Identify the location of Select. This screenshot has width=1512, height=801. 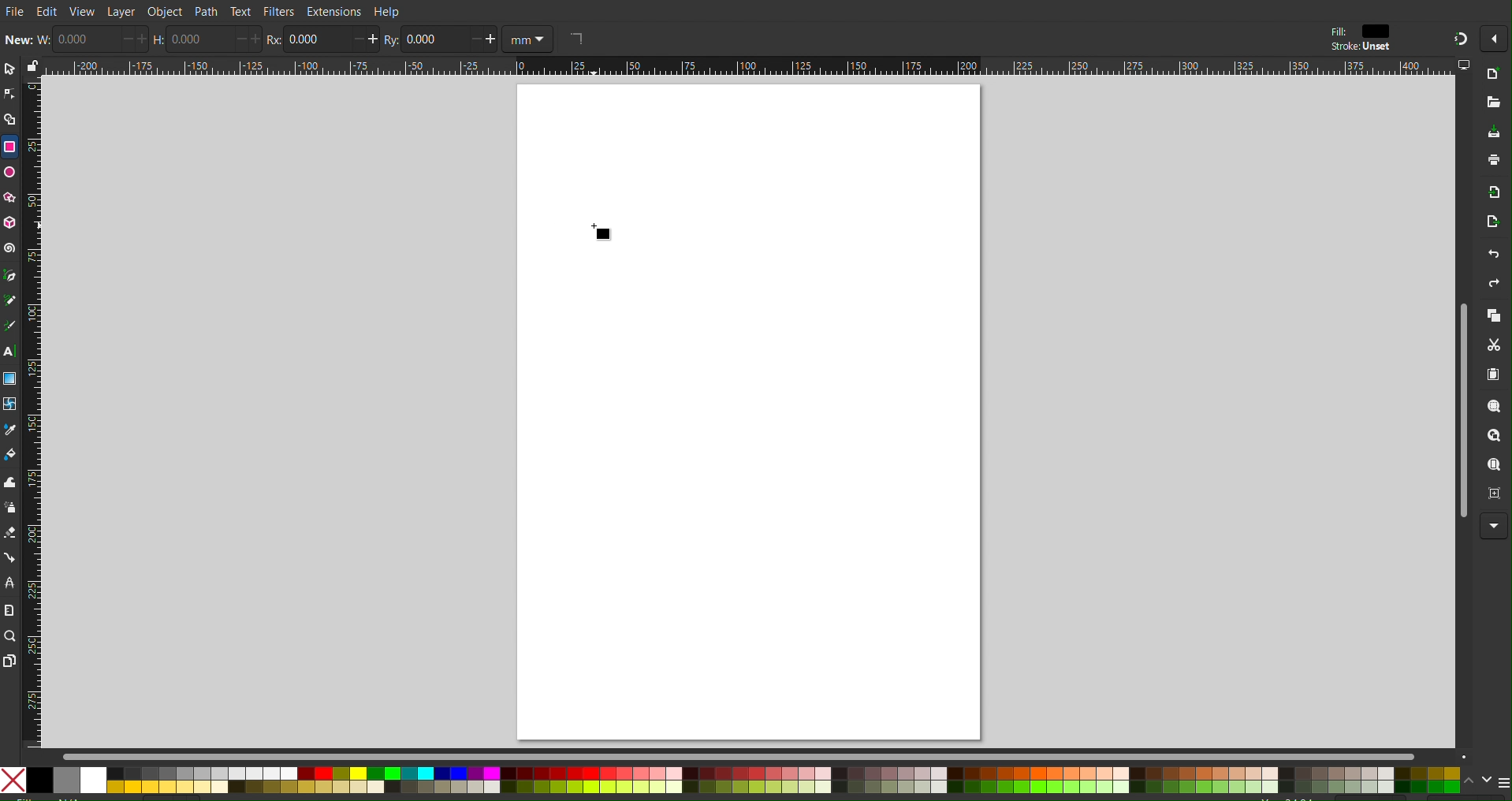
(9, 68).